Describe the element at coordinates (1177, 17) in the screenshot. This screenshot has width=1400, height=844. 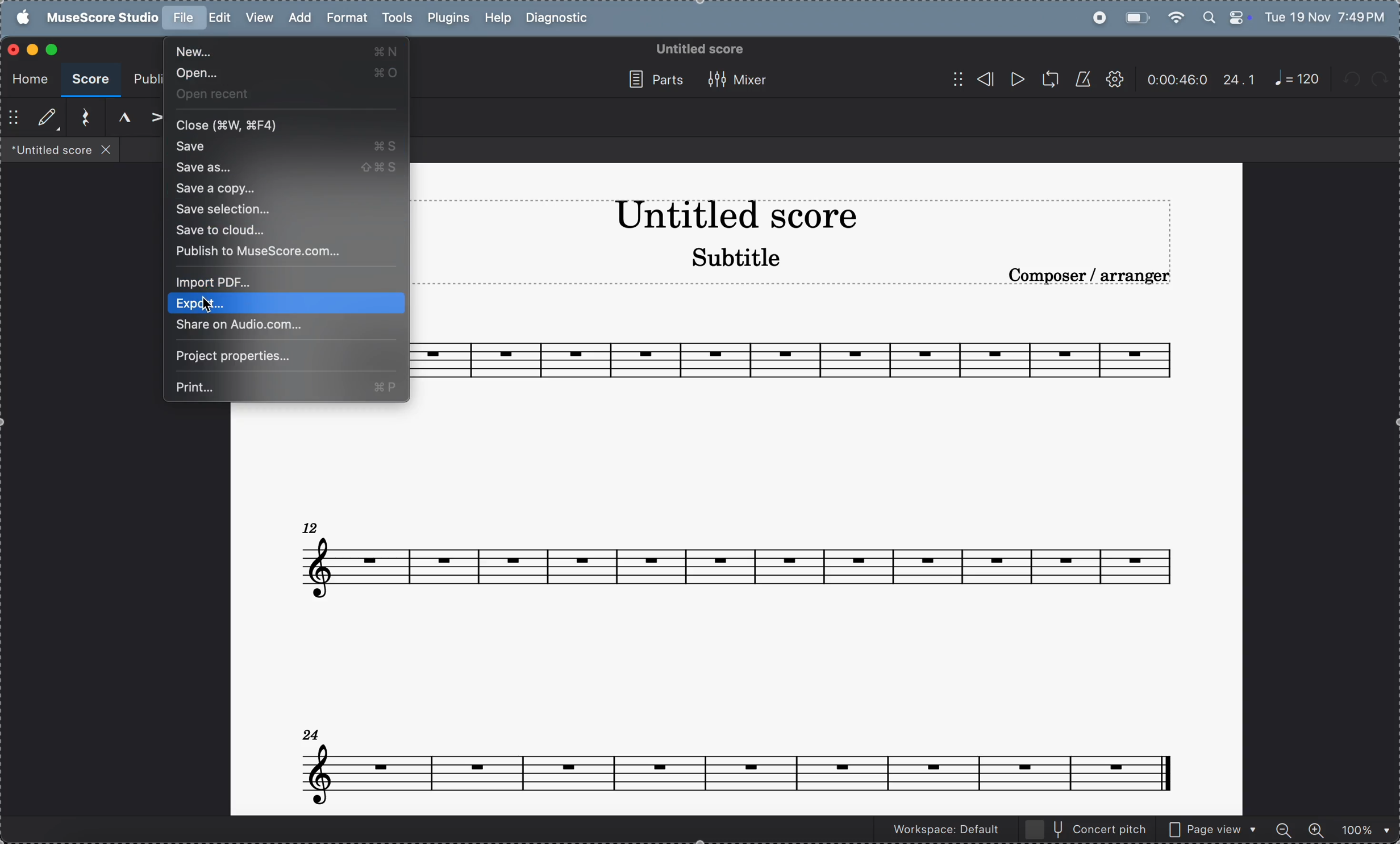
I see `wifi` at that location.